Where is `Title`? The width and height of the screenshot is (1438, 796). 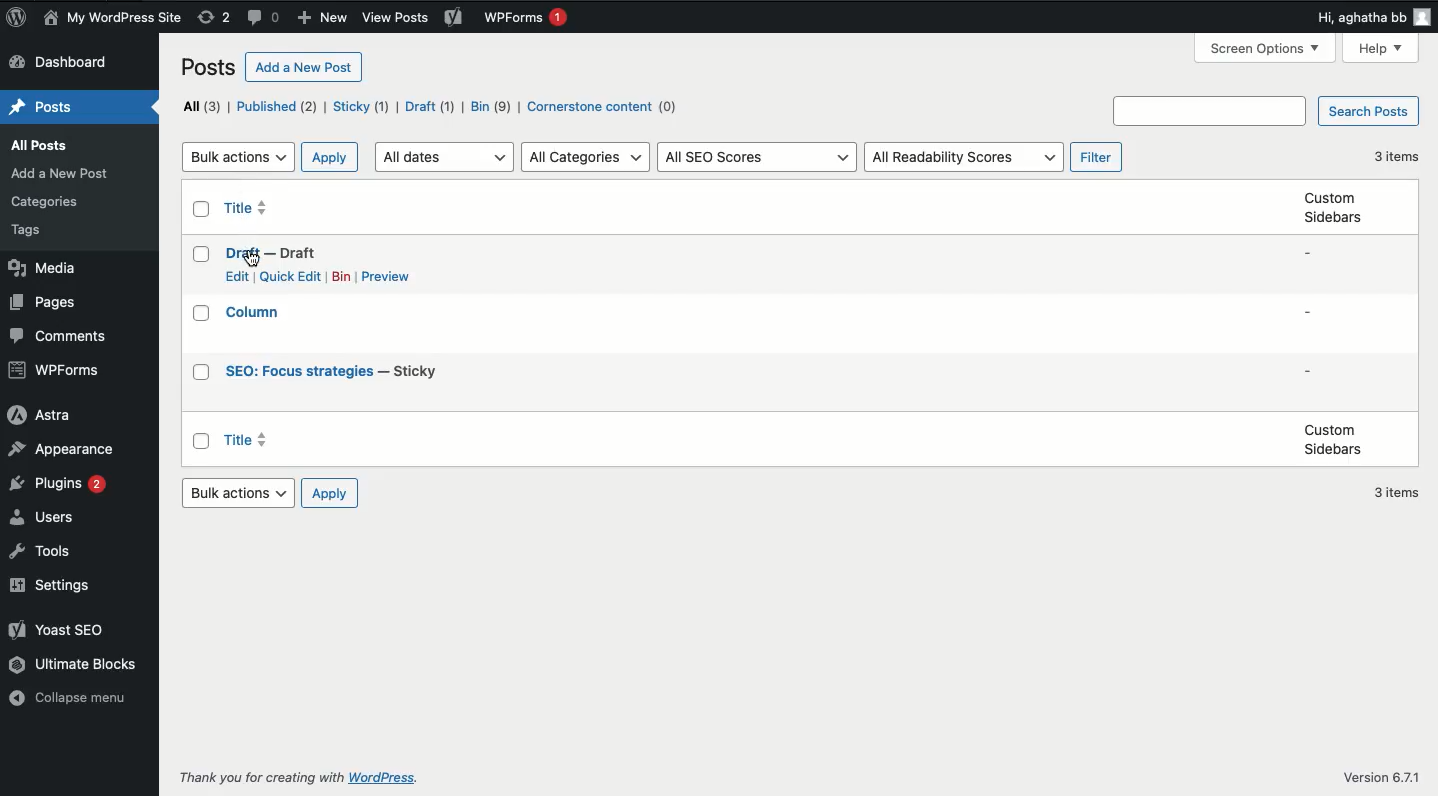
Title is located at coordinates (251, 208).